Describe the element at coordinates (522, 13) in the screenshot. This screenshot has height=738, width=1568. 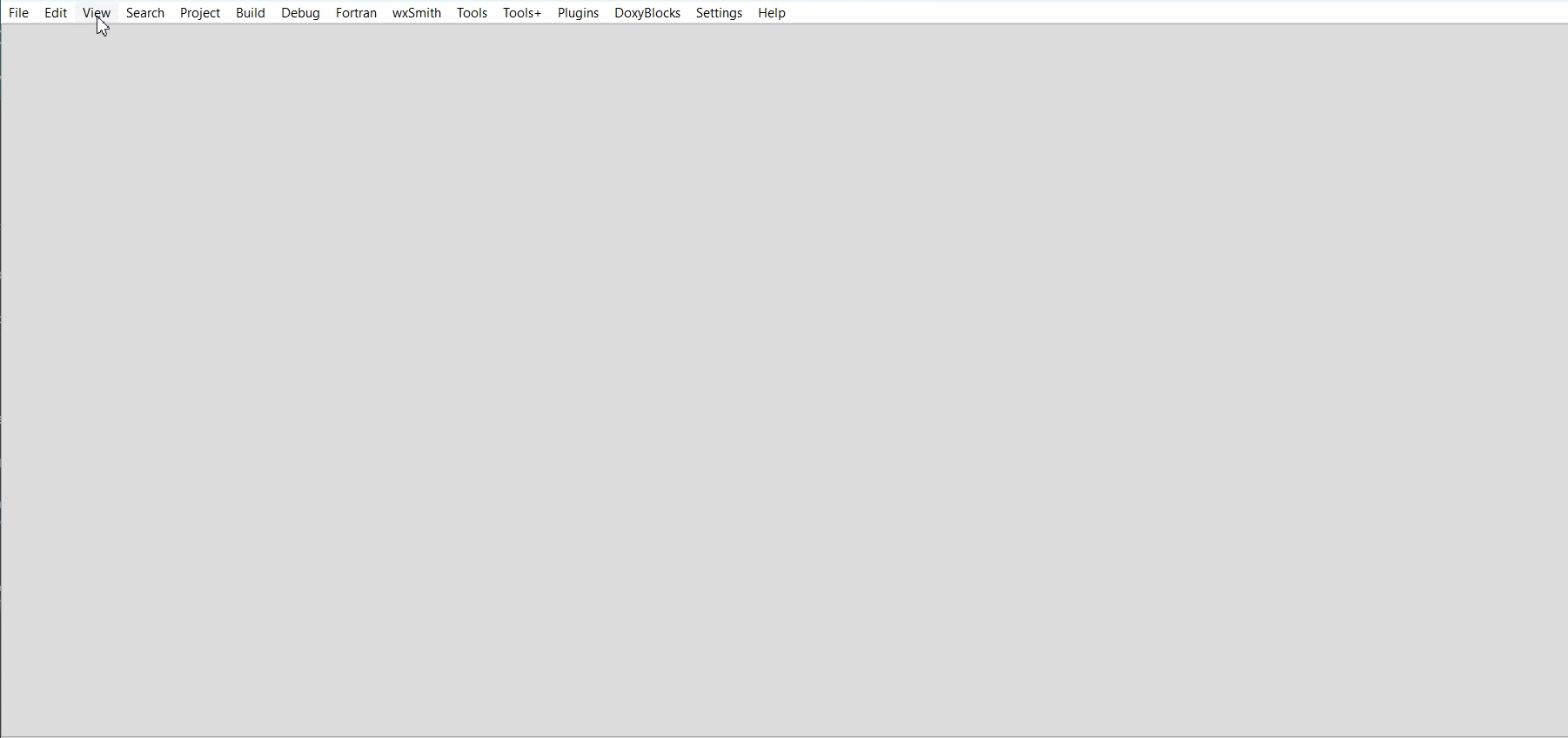
I see `Tools+` at that location.